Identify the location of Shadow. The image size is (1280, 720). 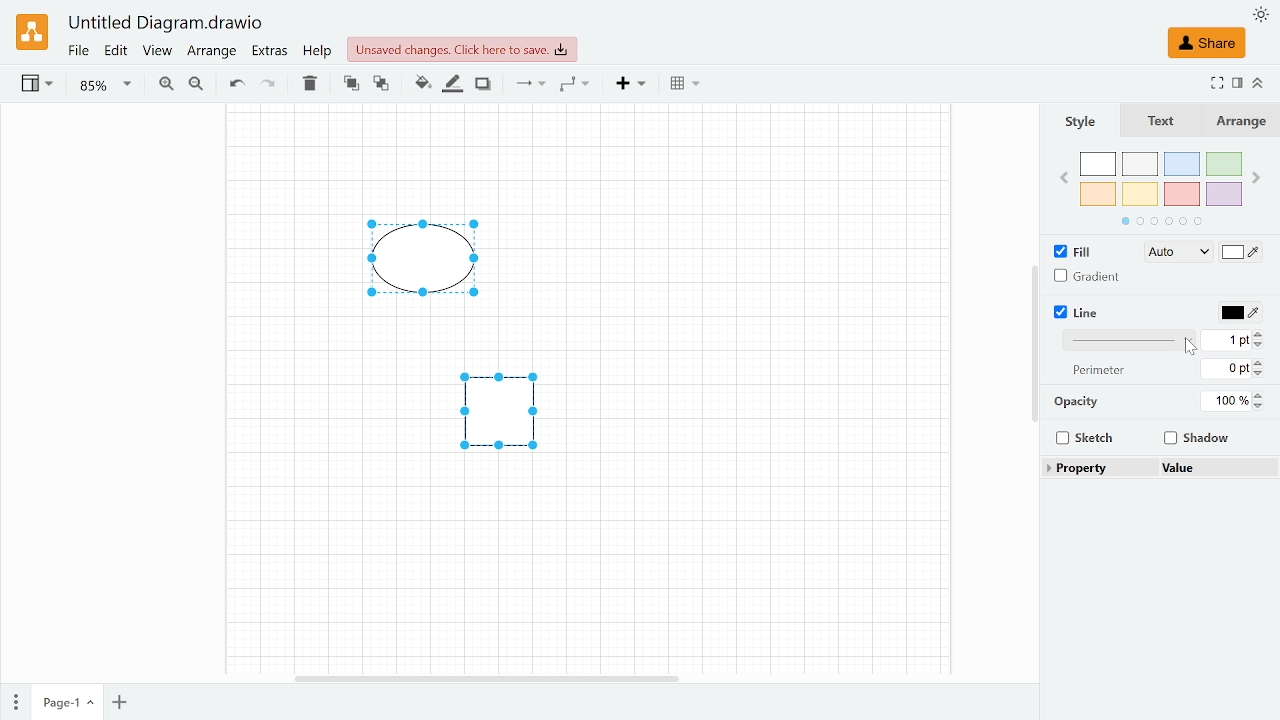
(1194, 440).